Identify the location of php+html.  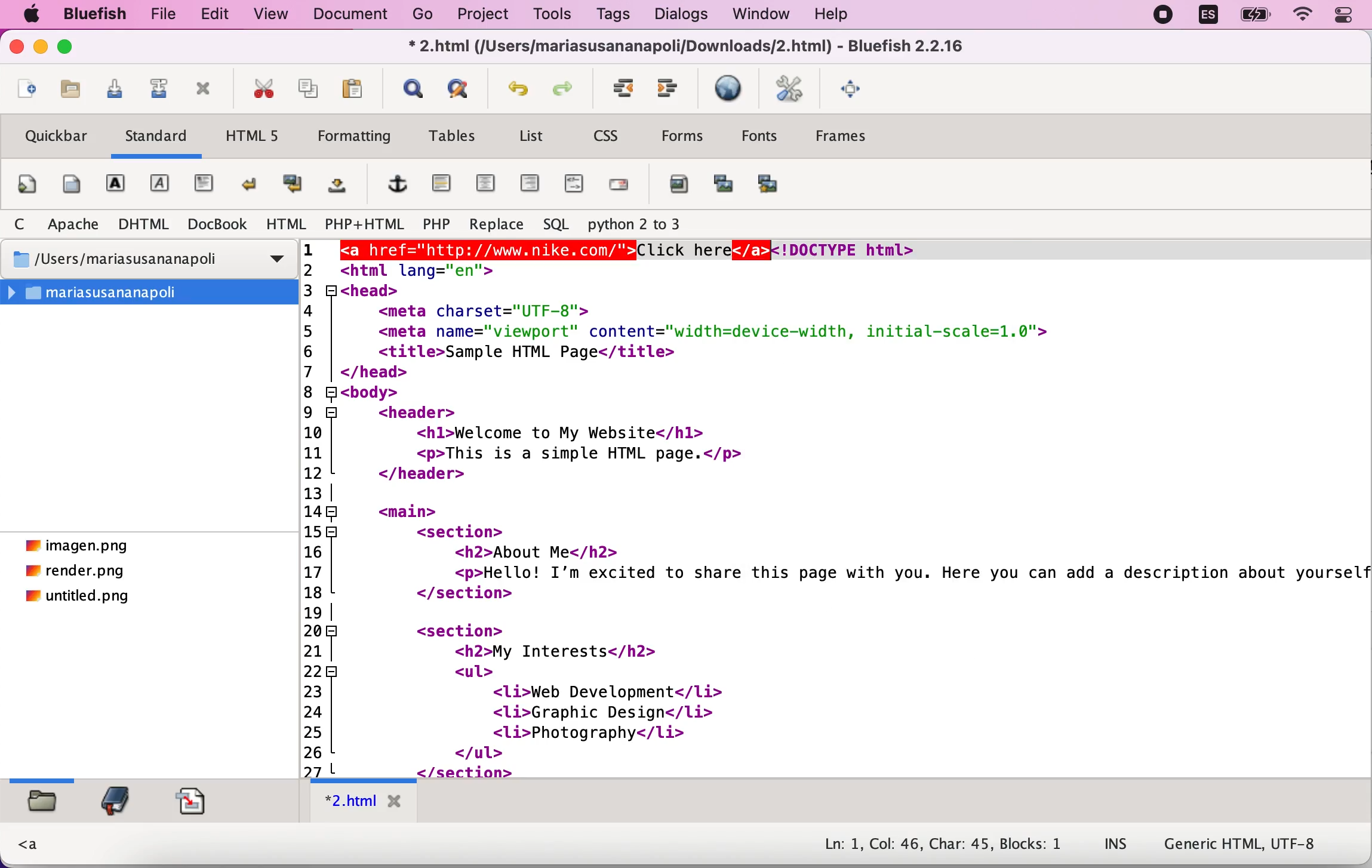
(363, 223).